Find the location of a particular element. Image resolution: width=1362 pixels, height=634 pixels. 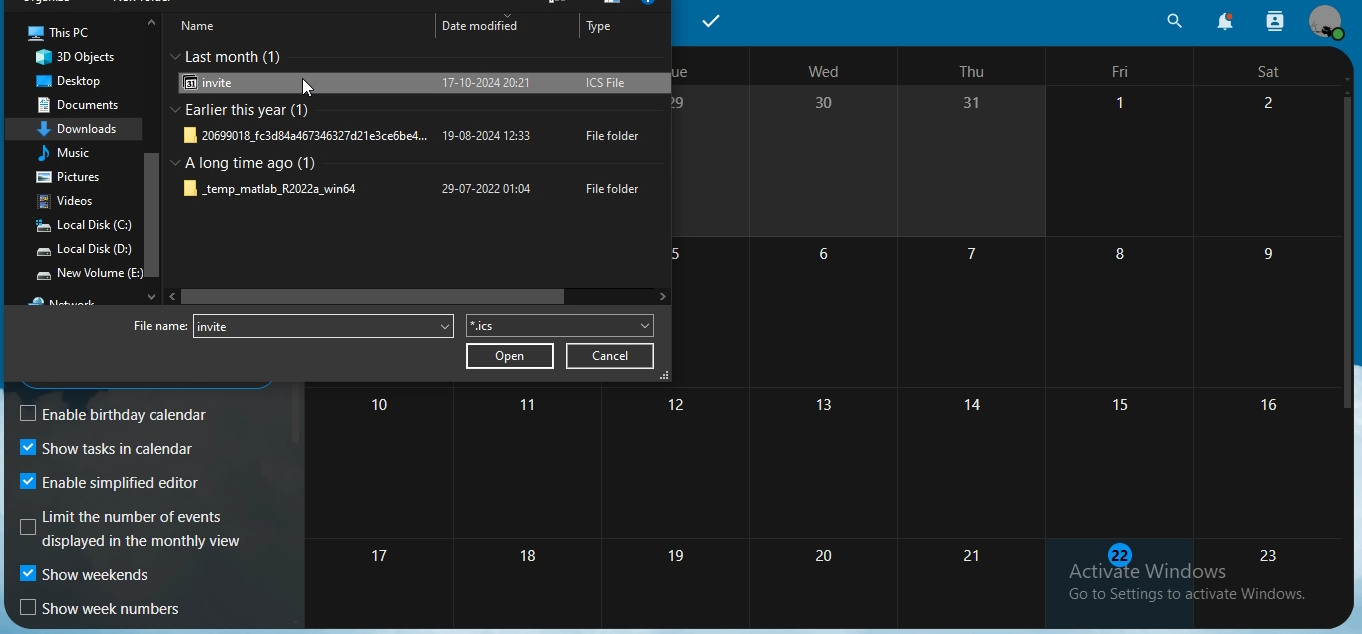

videos is located at coordinates (71, 203).